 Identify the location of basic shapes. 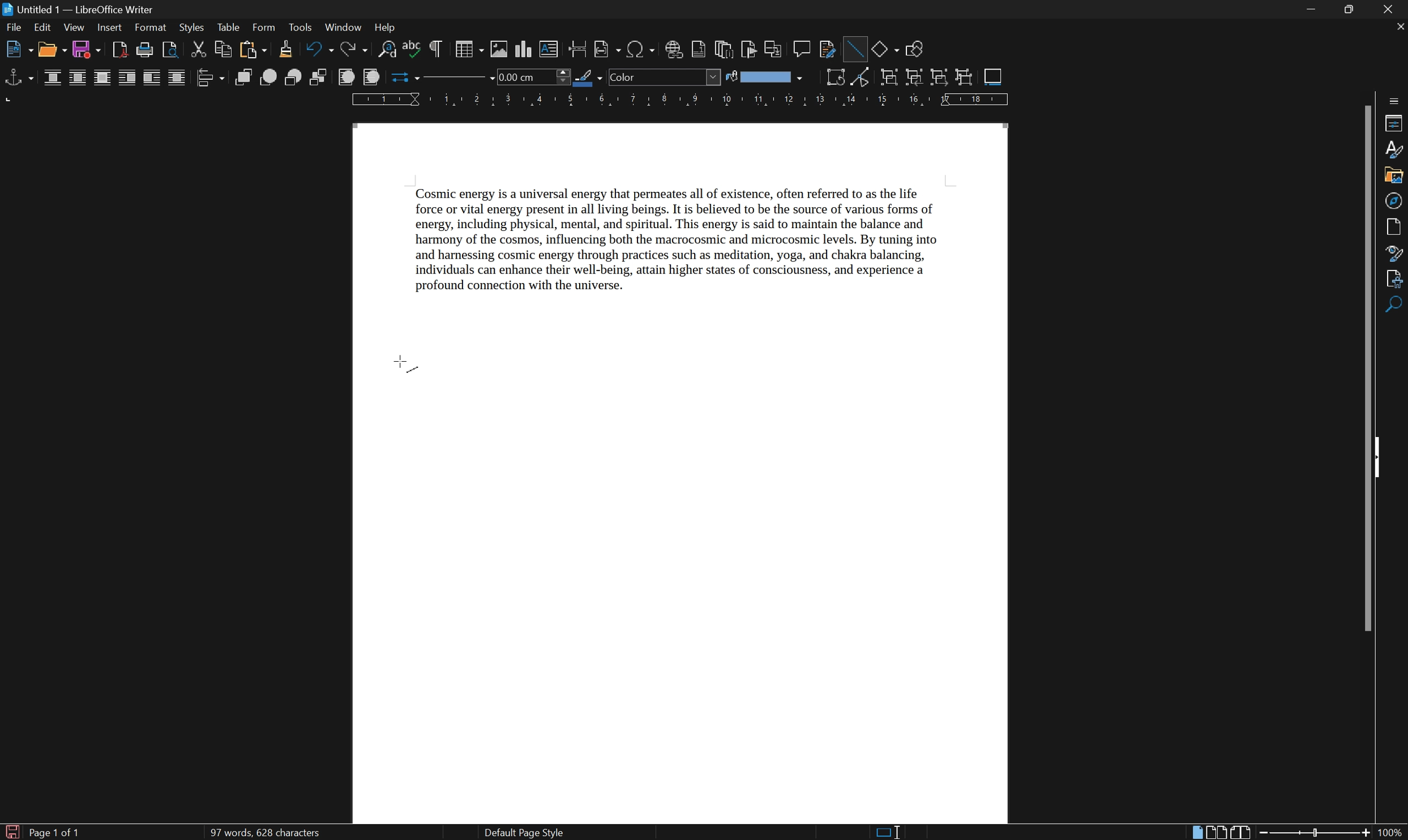
(885, 48).